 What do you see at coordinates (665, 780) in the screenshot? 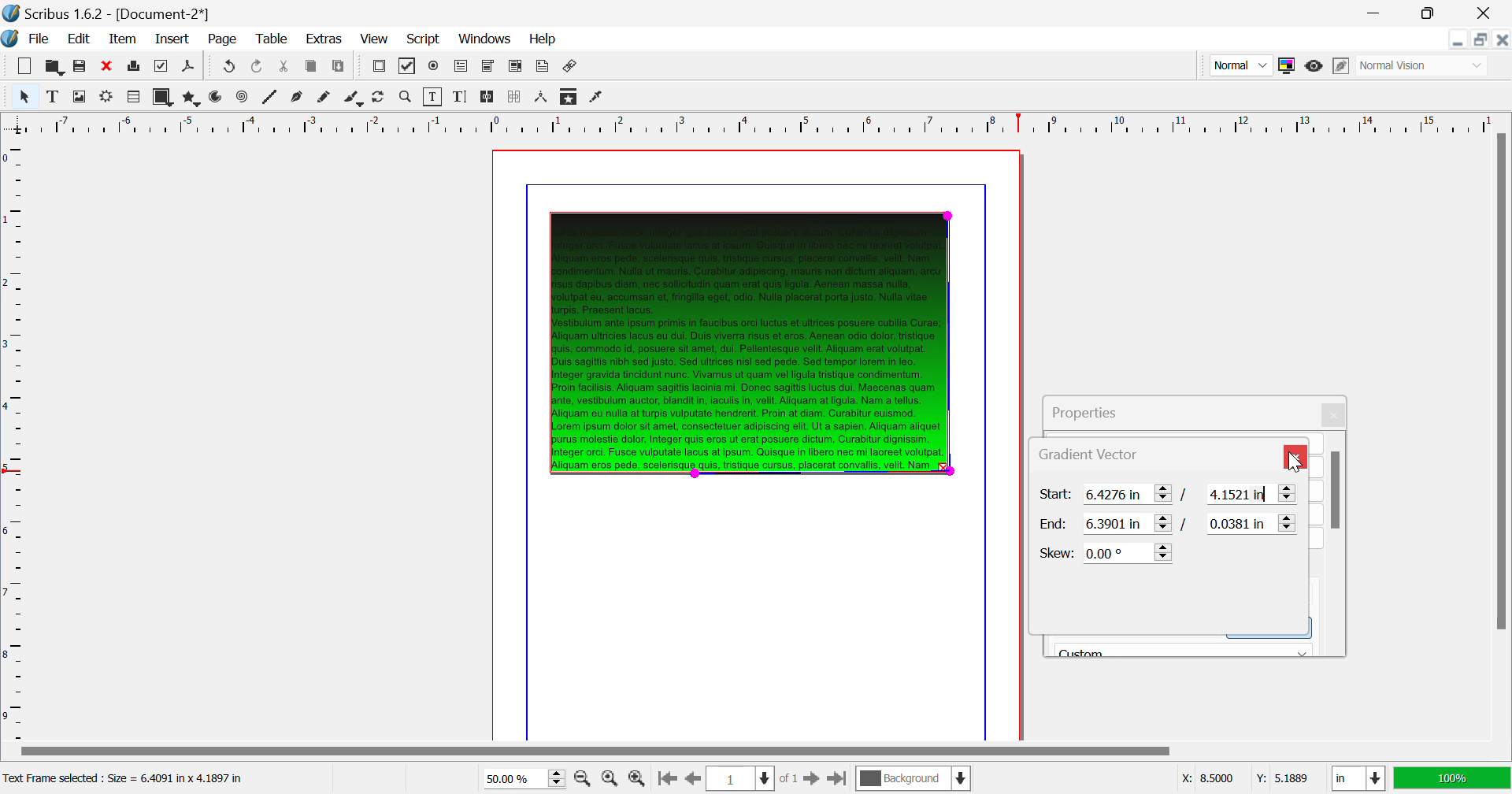
I see `First Page` at bounding box center [665, 780].